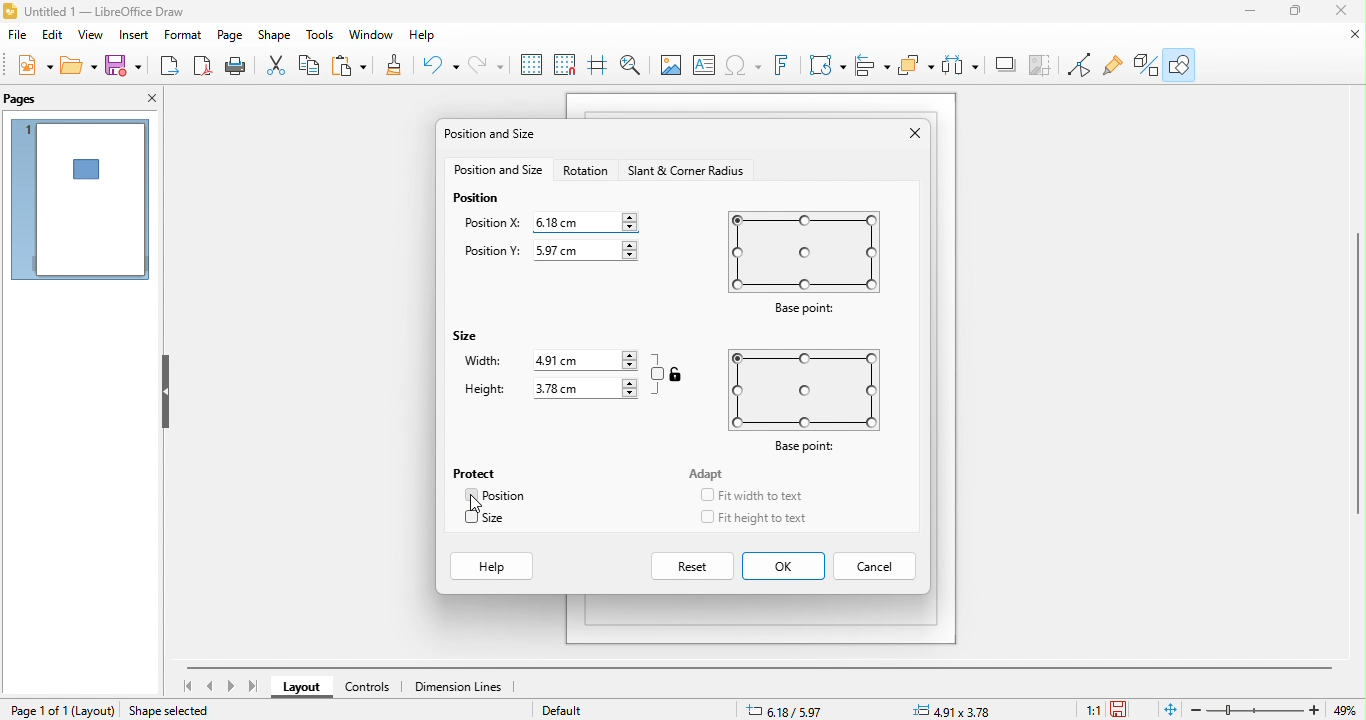 The height and width of the screenshot is (720, 1366). I want to click on insert, so click(137, 37).